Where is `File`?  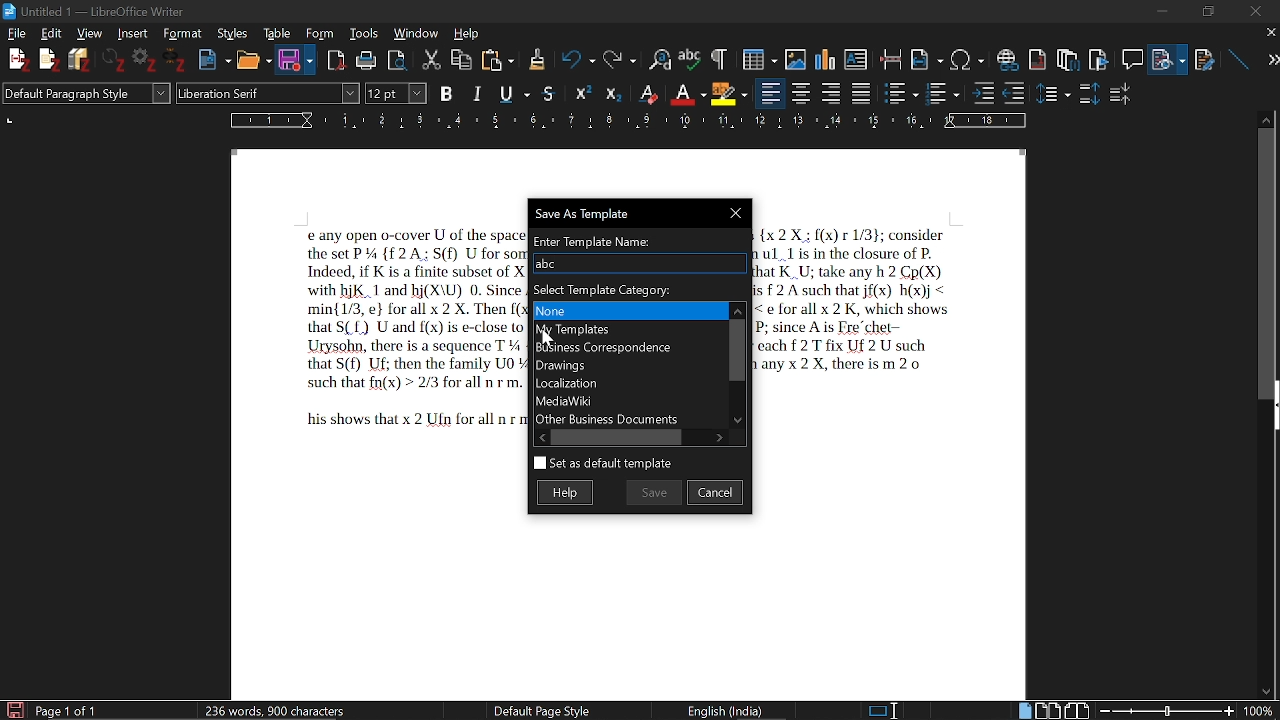
File is located at coordinates (19, 34).